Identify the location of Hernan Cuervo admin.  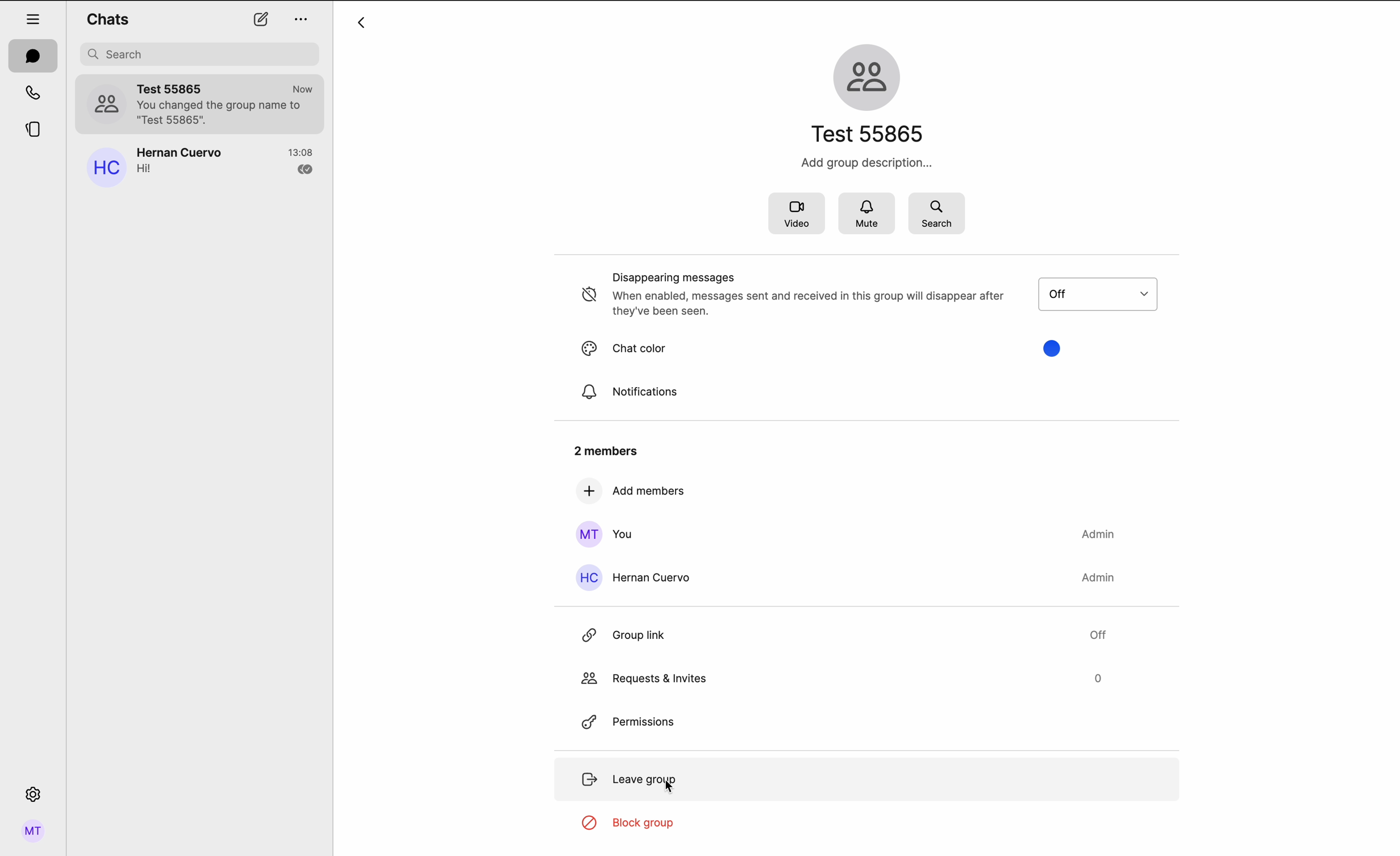
(849, 577).